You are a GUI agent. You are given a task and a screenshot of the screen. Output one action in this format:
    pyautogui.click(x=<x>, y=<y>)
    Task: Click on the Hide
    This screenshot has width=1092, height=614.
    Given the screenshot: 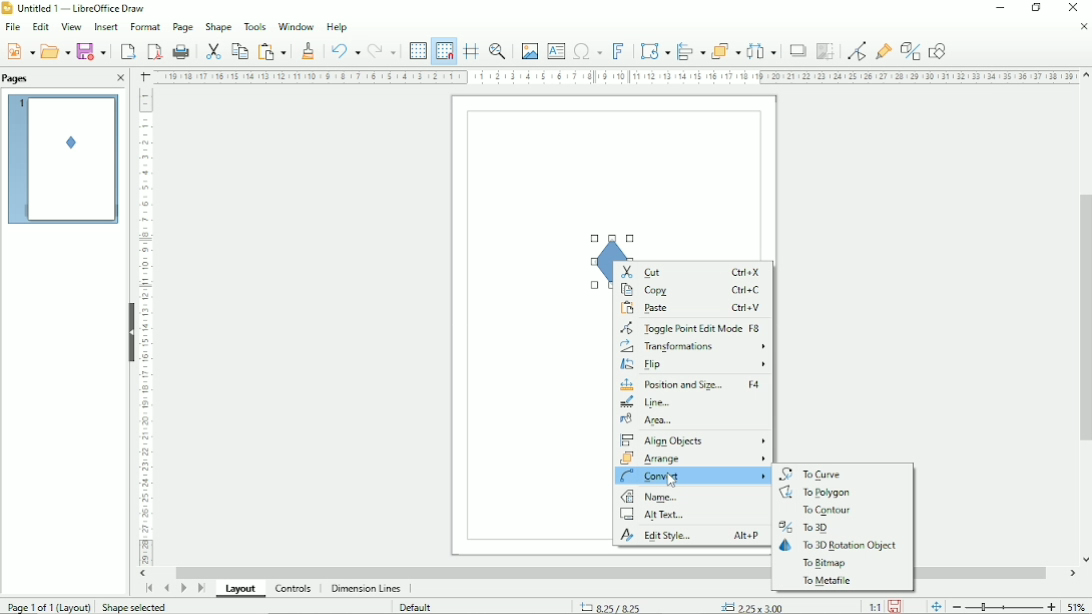 What is the action you would take?
    pyautogui.click(x=130, y=329)
    